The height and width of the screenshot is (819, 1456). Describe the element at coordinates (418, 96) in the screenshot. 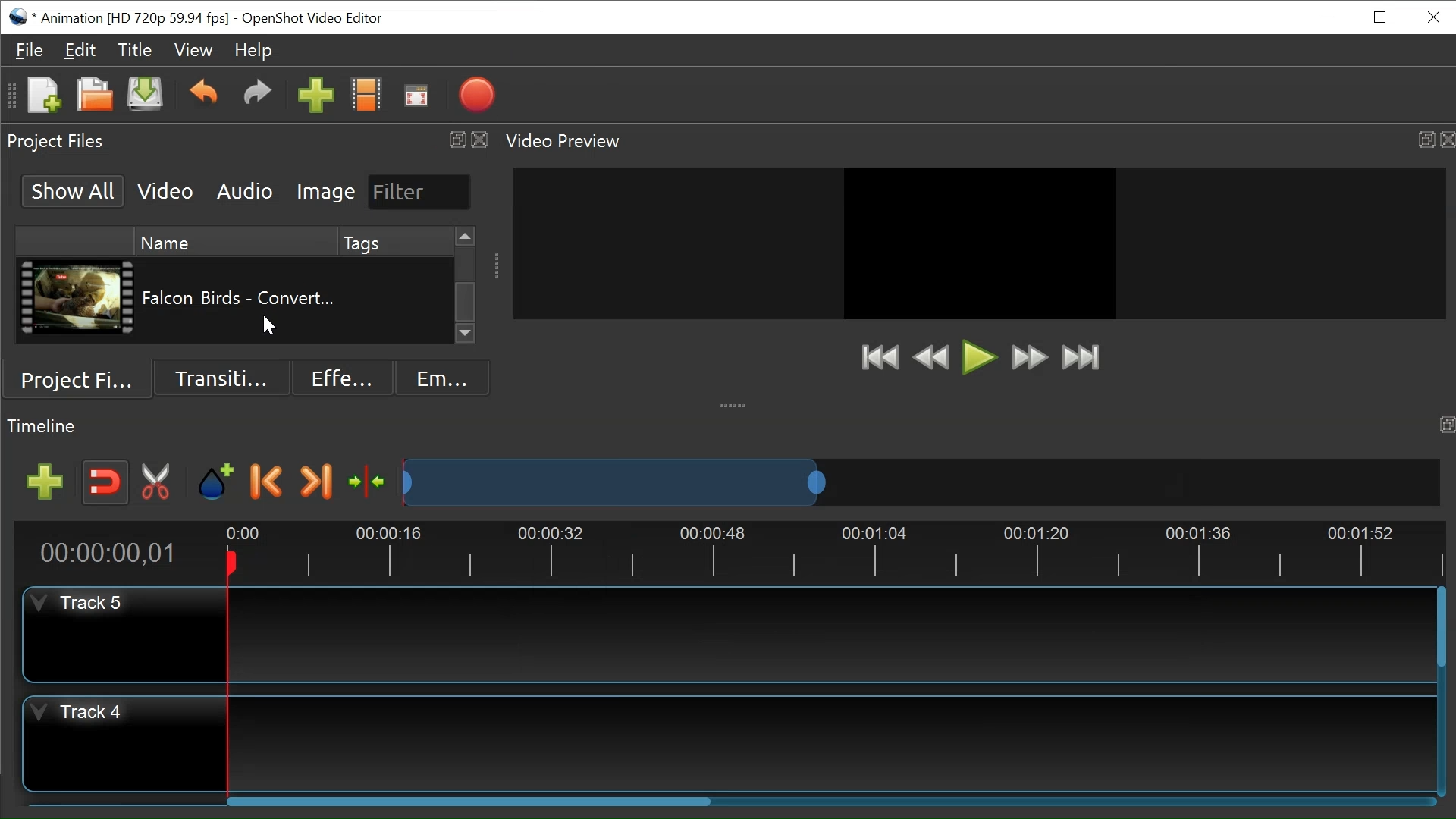

I see `Fullscreen` at that location.